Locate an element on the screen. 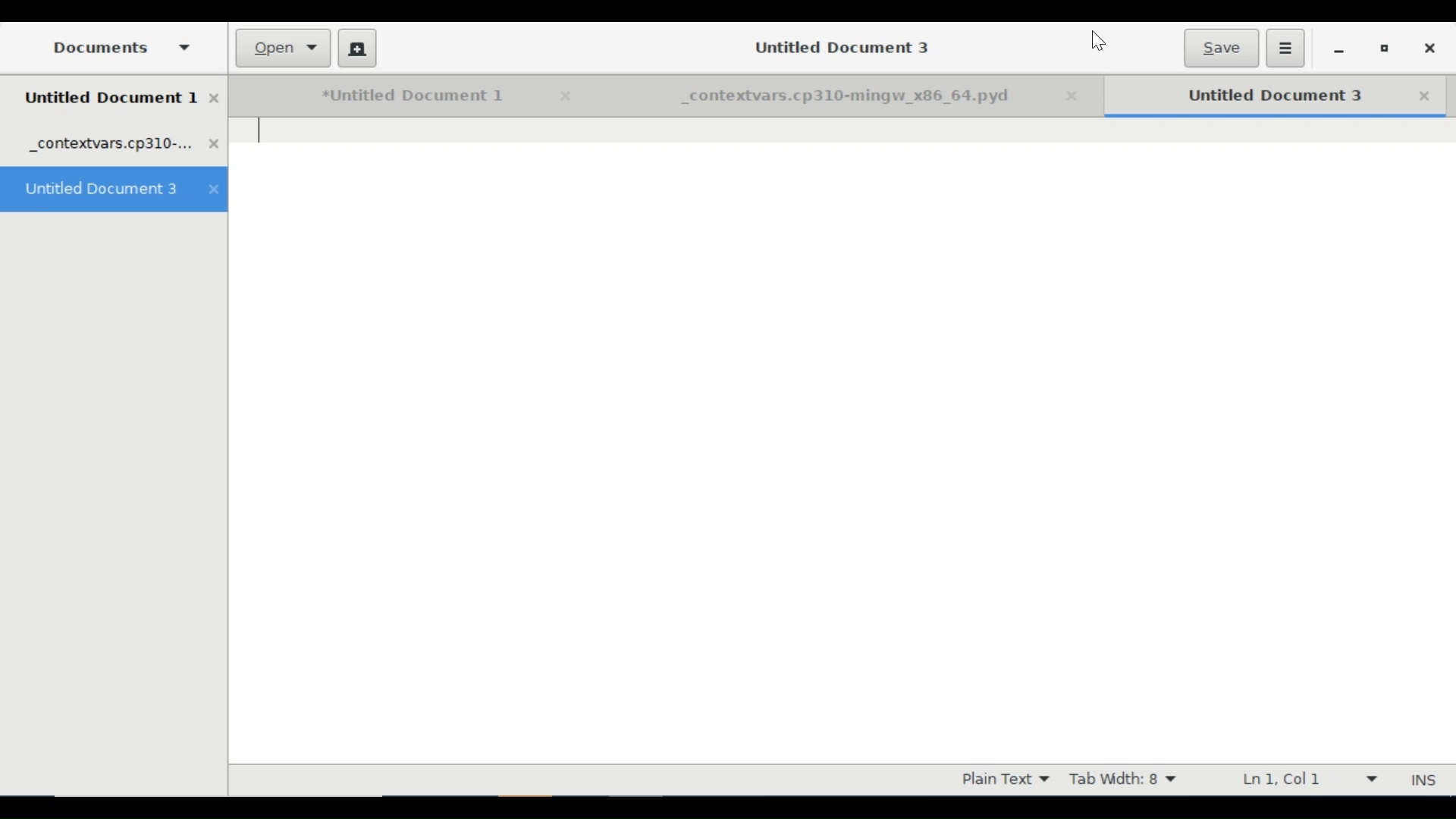 Image resolution: width=1456 pixels, height=819 pixels. _contextvars.cp310-minger_xc86_64.pyd tab is located at coordinates (124, 146).